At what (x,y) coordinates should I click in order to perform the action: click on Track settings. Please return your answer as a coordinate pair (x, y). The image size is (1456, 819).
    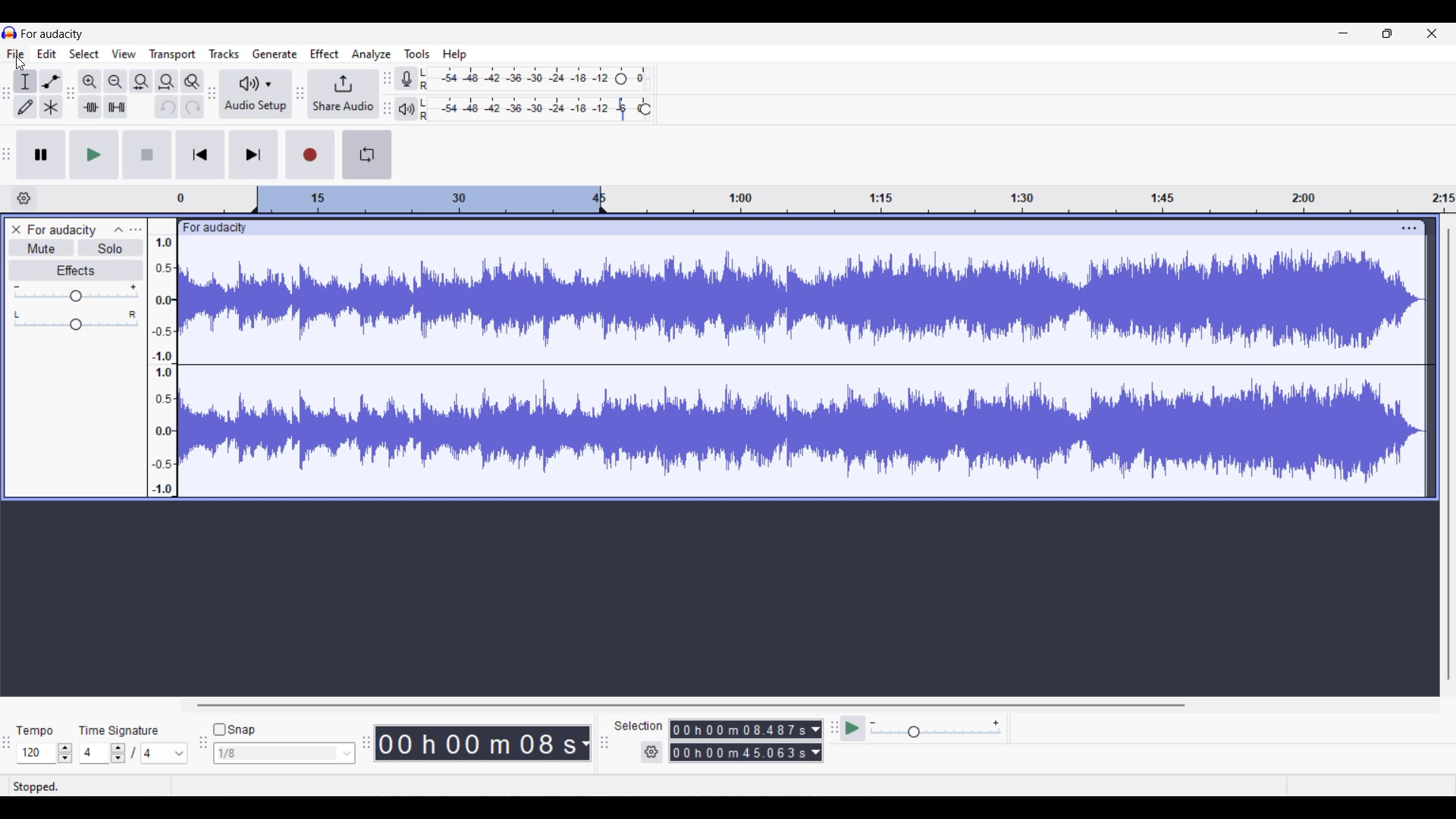
    Looking at the image, I should click on (1409, 227).